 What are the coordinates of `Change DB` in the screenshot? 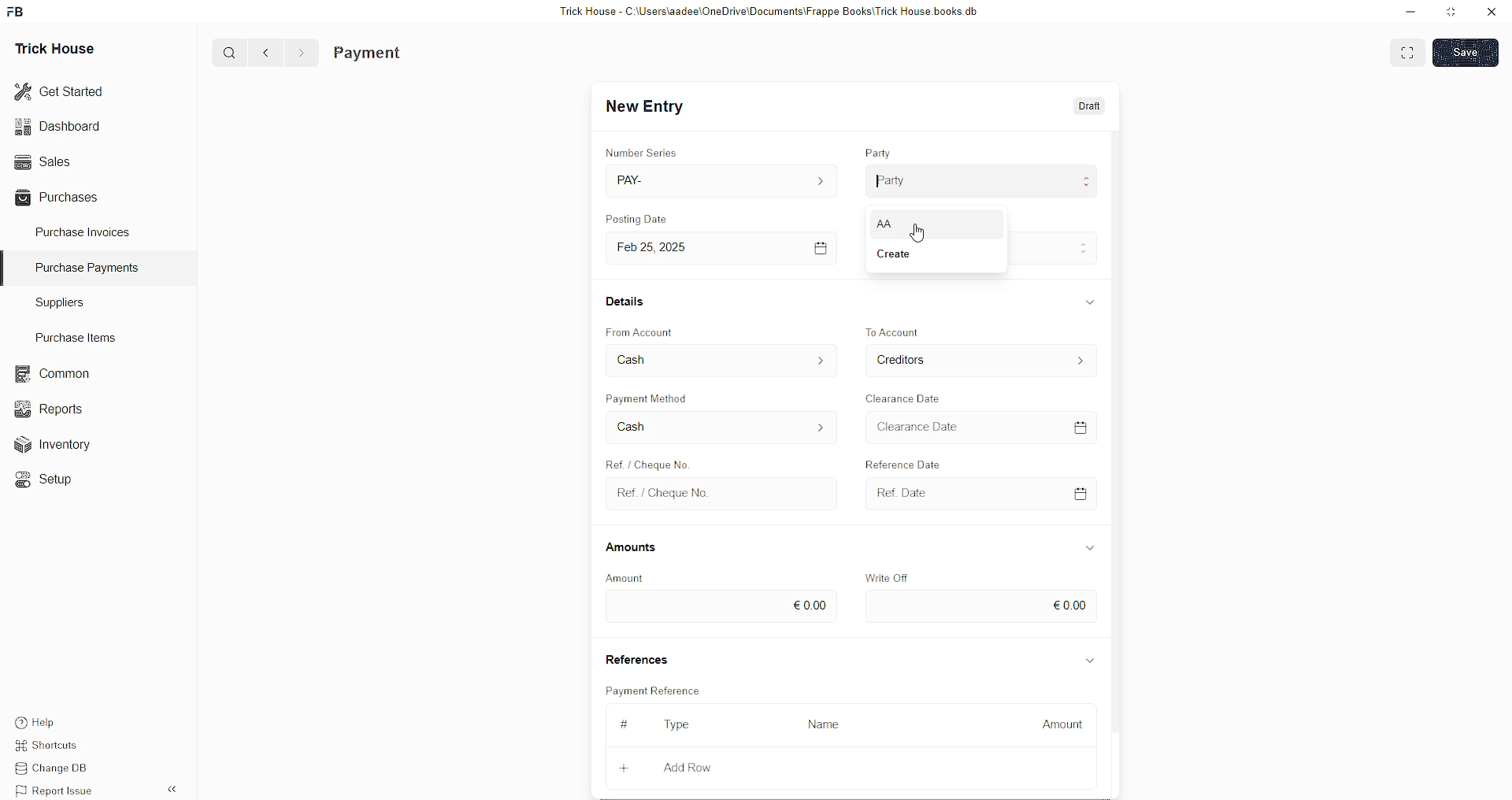 It's located at (60, 769).